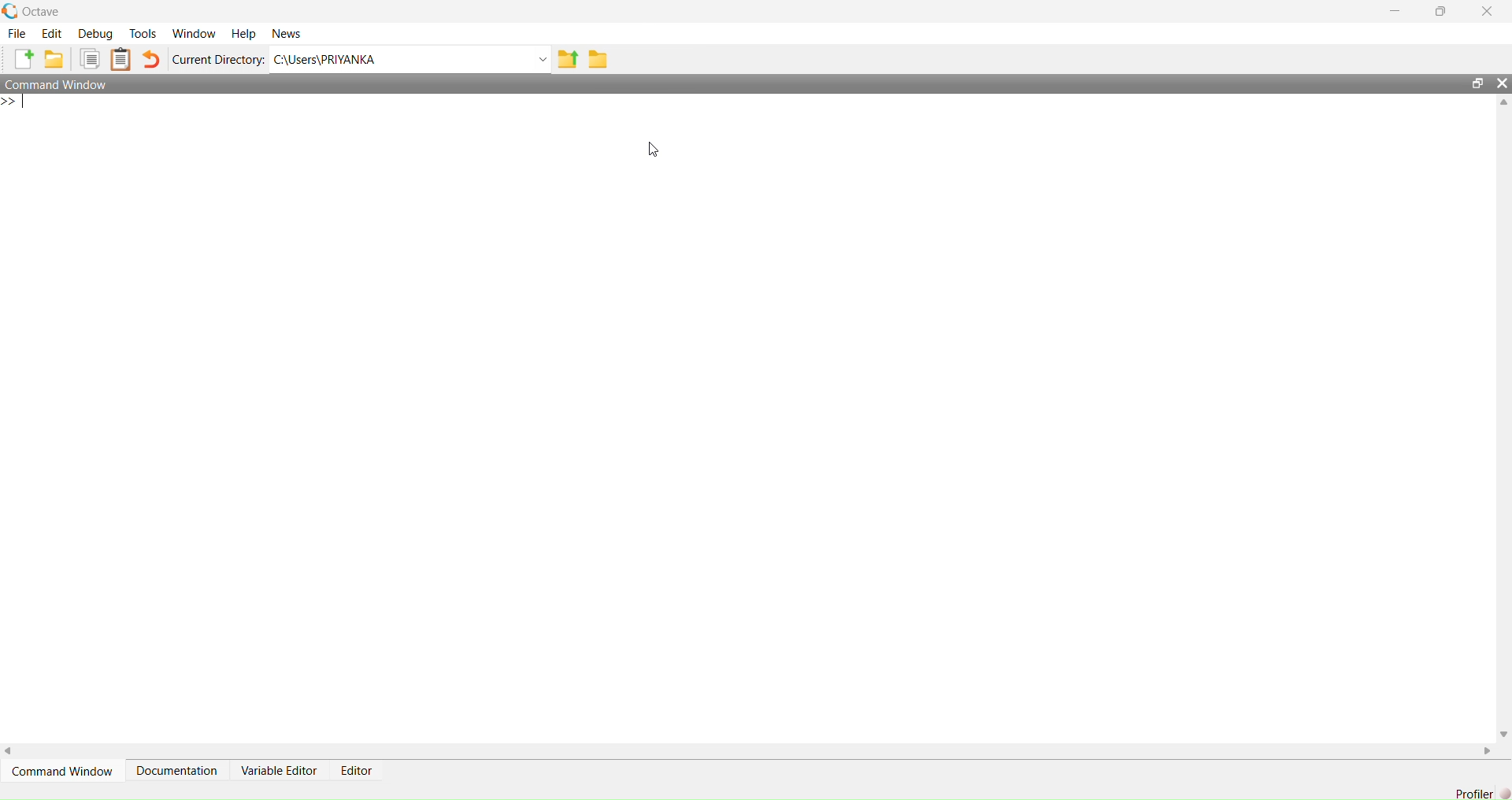 The width and height of the screenshot is (1512, 800). What do you see at coordinates (286, 32) in the screenshot?
I see `News` at bounding box center [286, 32].